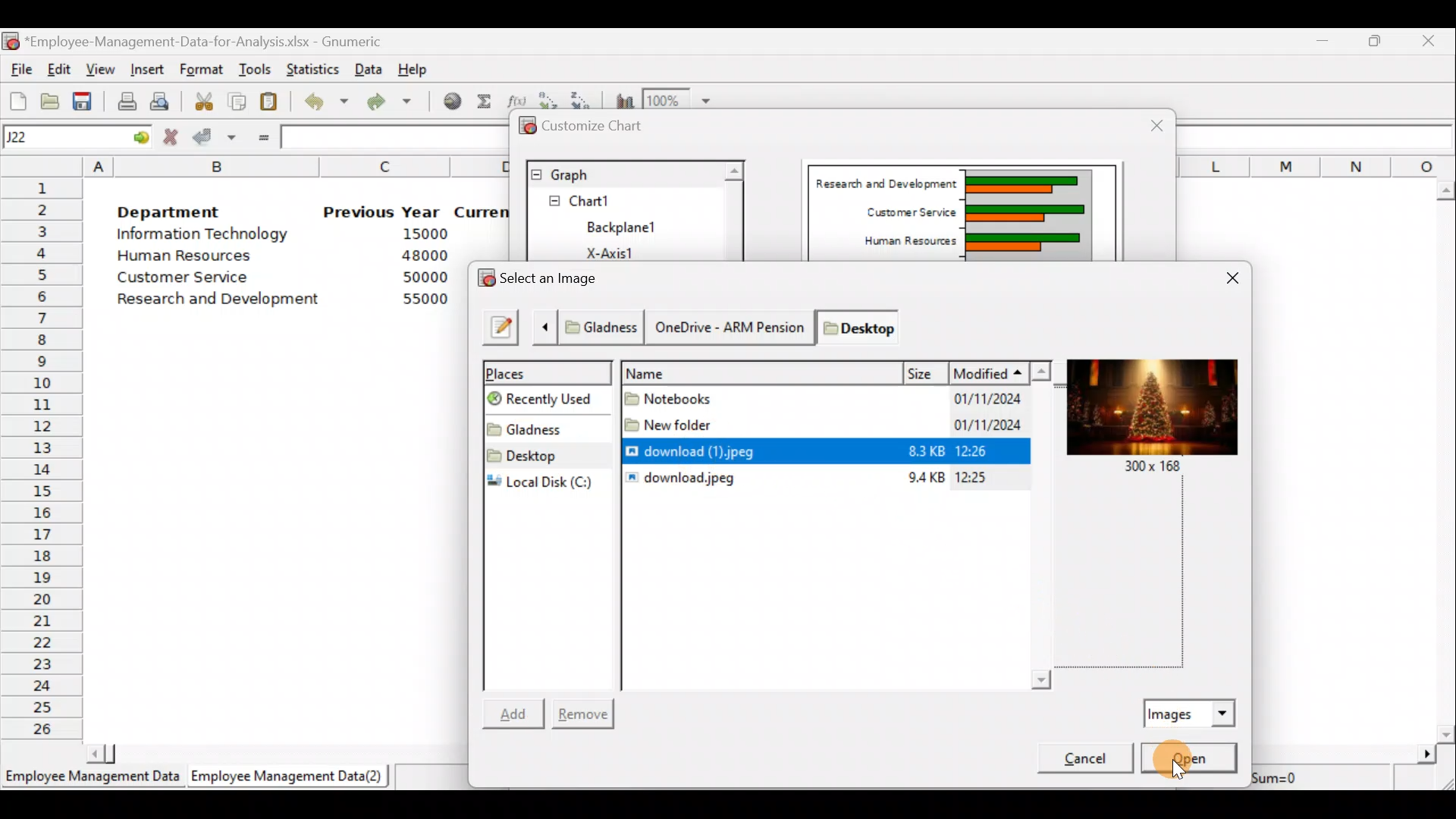  Describe the element at coordinates (49, 99) in the screenshot. I see `Open a file` at that location.